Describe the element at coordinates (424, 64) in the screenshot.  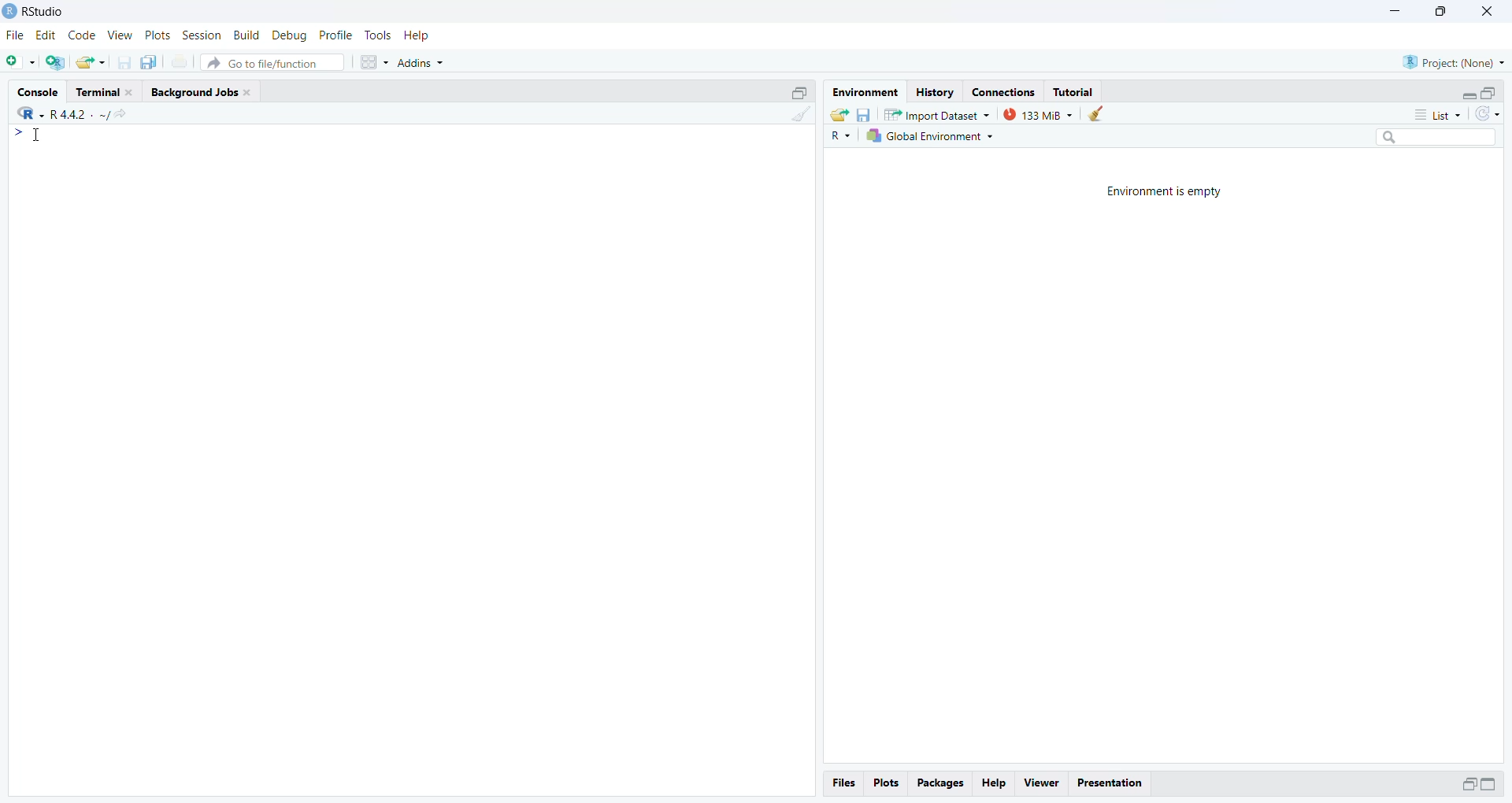
I see `Addins` at that location.